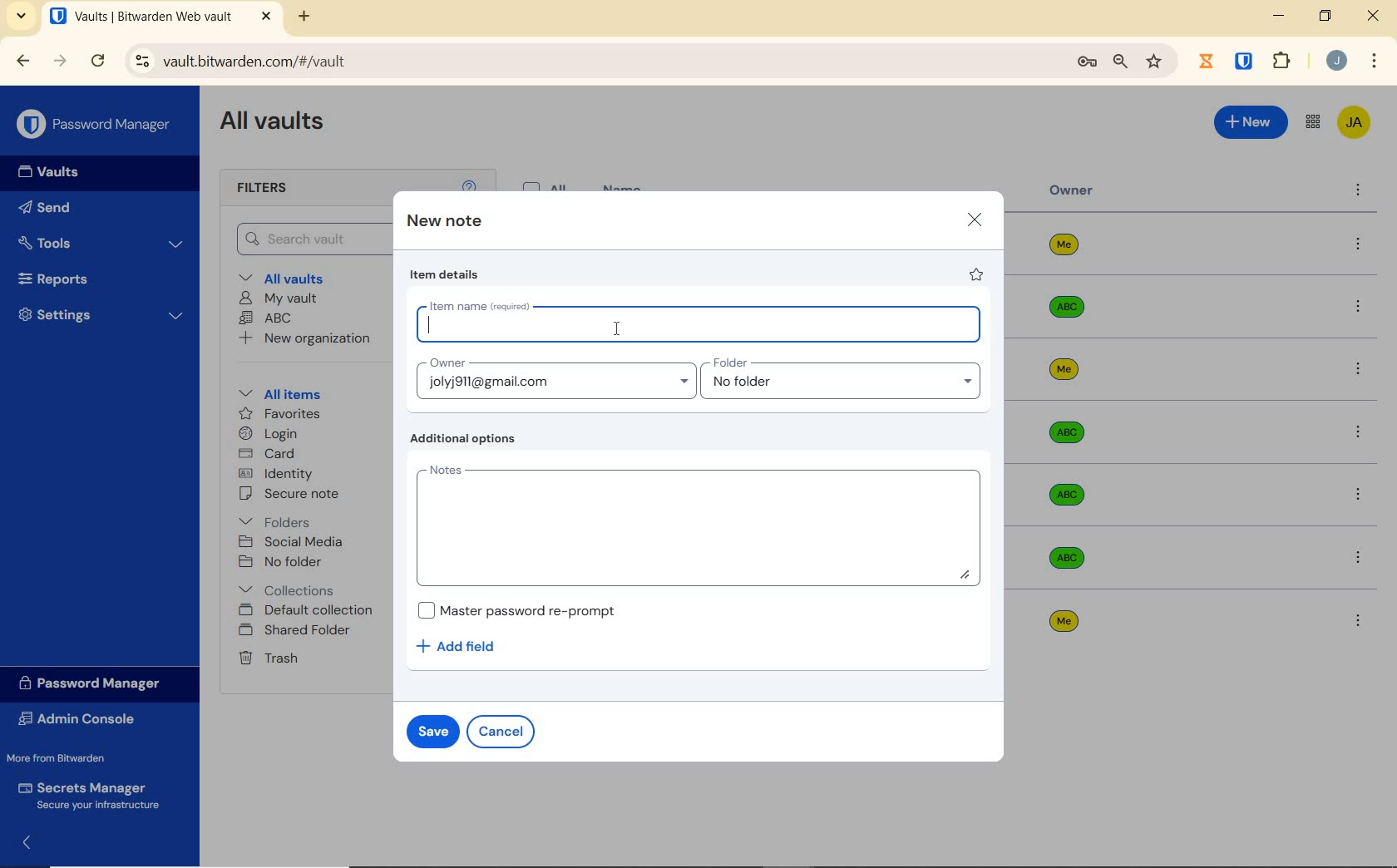  Describe the element at coordinates (310, 611) in the screenshot. I see `Default collection` at that location.